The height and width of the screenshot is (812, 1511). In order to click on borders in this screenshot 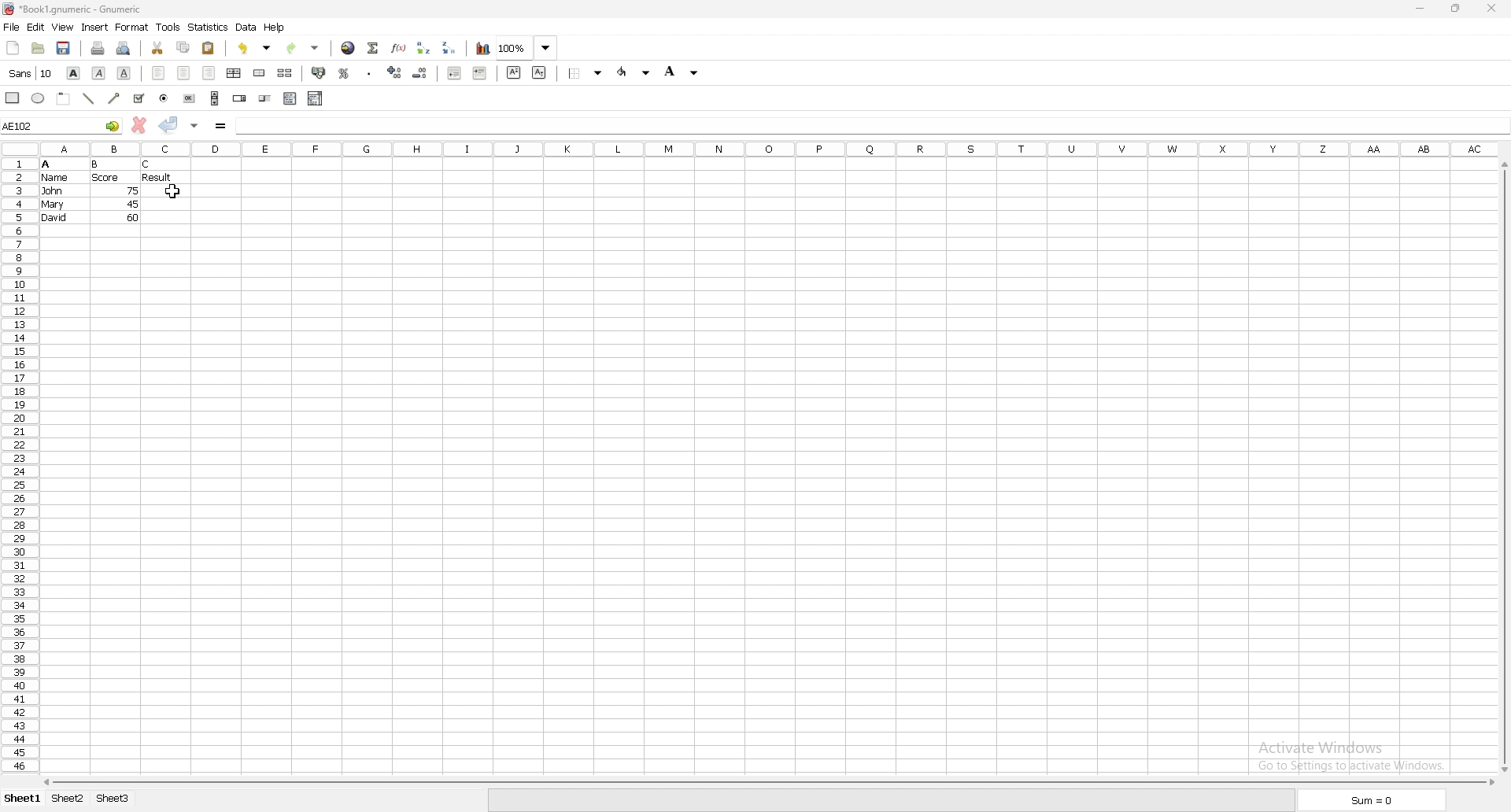, I will do `click(585, 72)`.